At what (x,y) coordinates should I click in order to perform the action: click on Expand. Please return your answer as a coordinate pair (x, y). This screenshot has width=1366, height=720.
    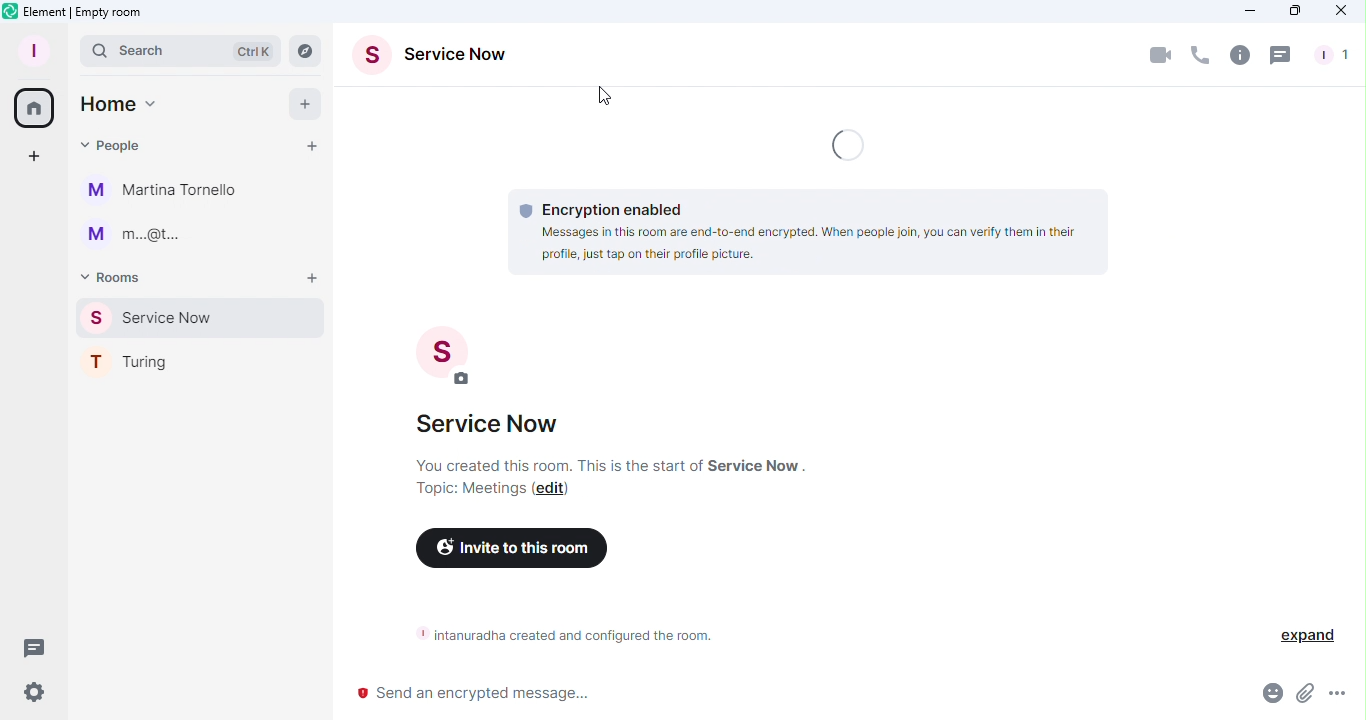
    Looking at the image, I should click on (1302, 634).